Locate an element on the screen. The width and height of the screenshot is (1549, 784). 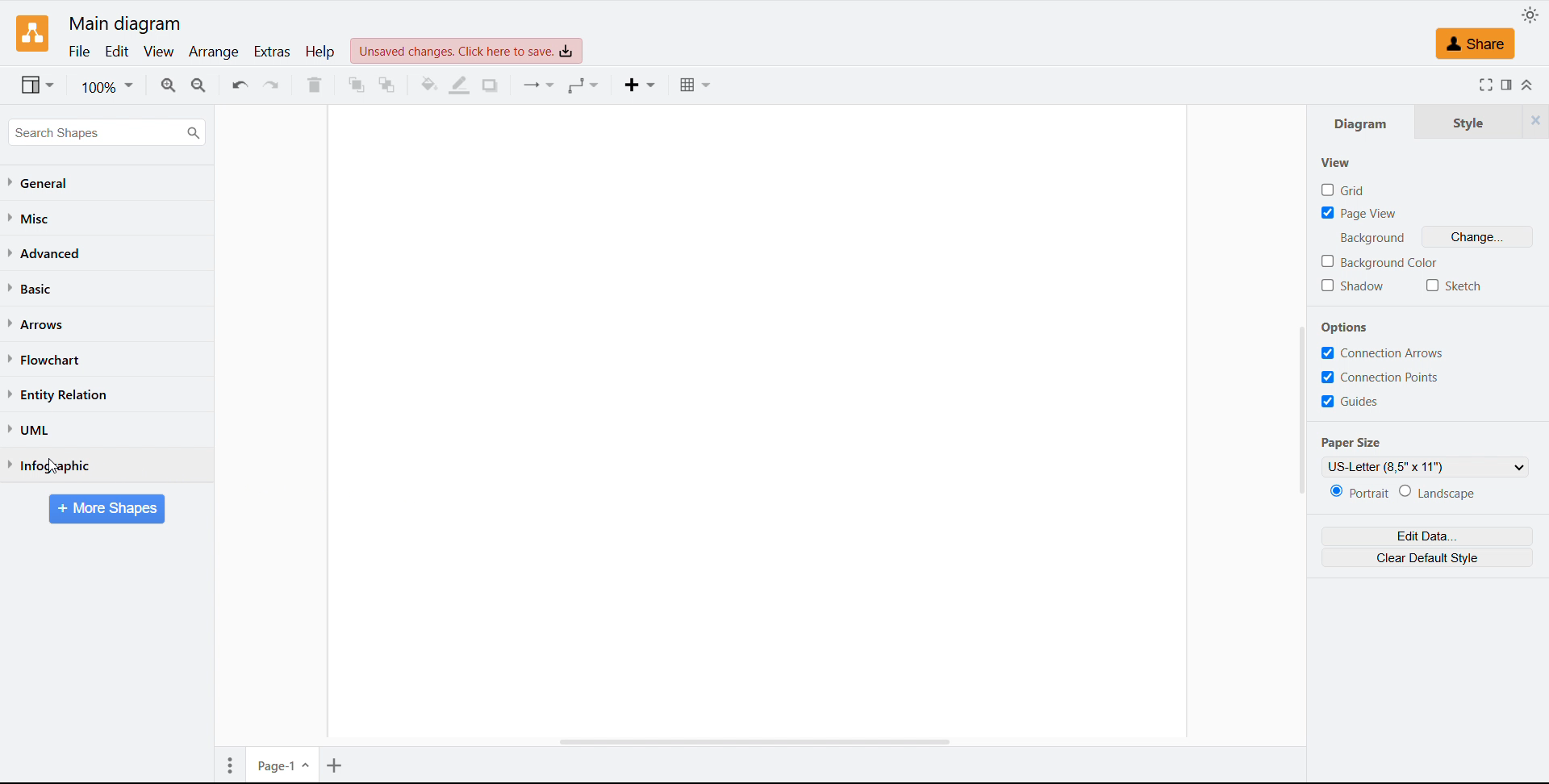
Logo  is located at coordinates (33, 33).